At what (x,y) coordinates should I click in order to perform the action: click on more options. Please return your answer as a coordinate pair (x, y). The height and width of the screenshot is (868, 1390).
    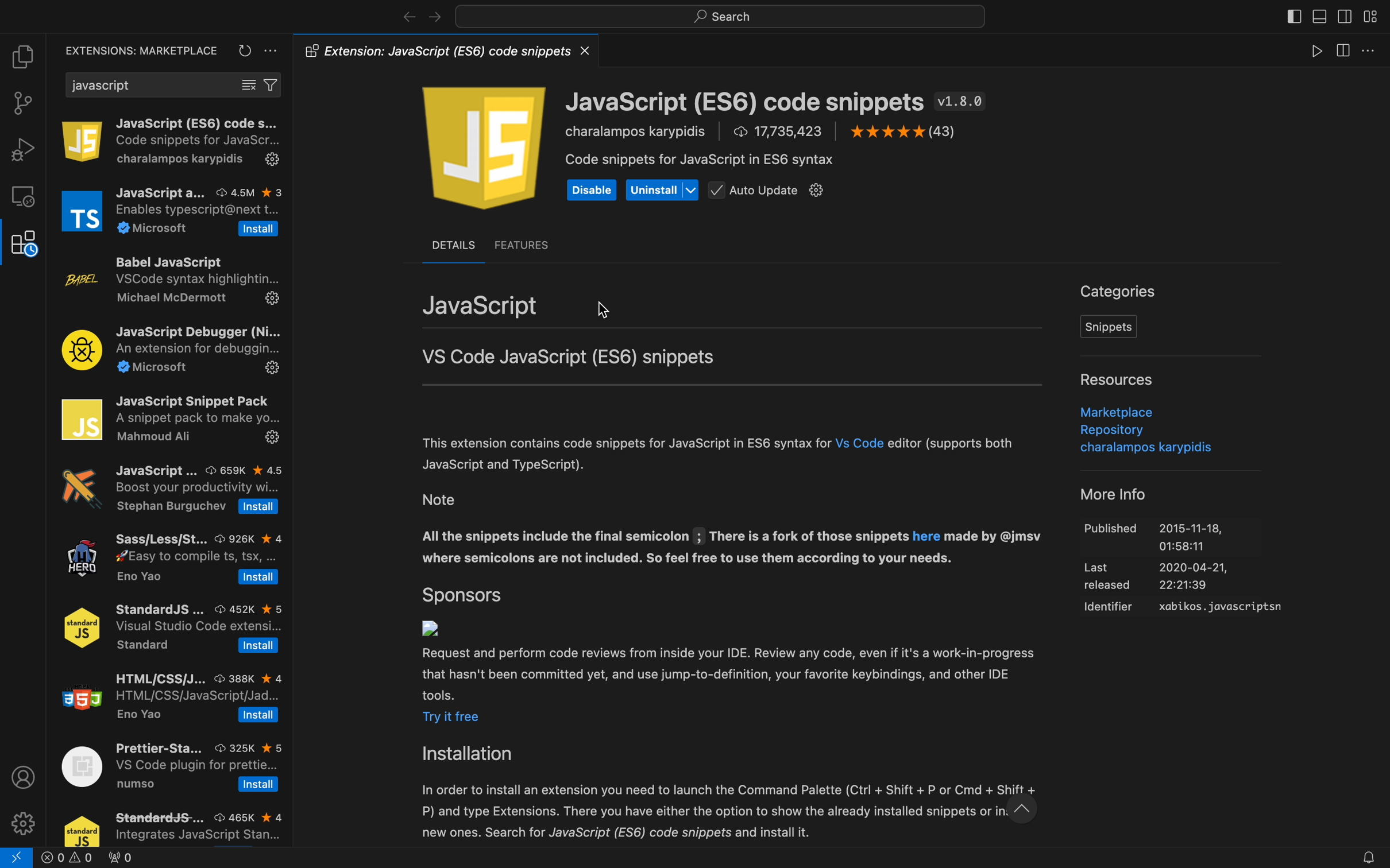
    Looking at the image, I should click on (1368, 51).